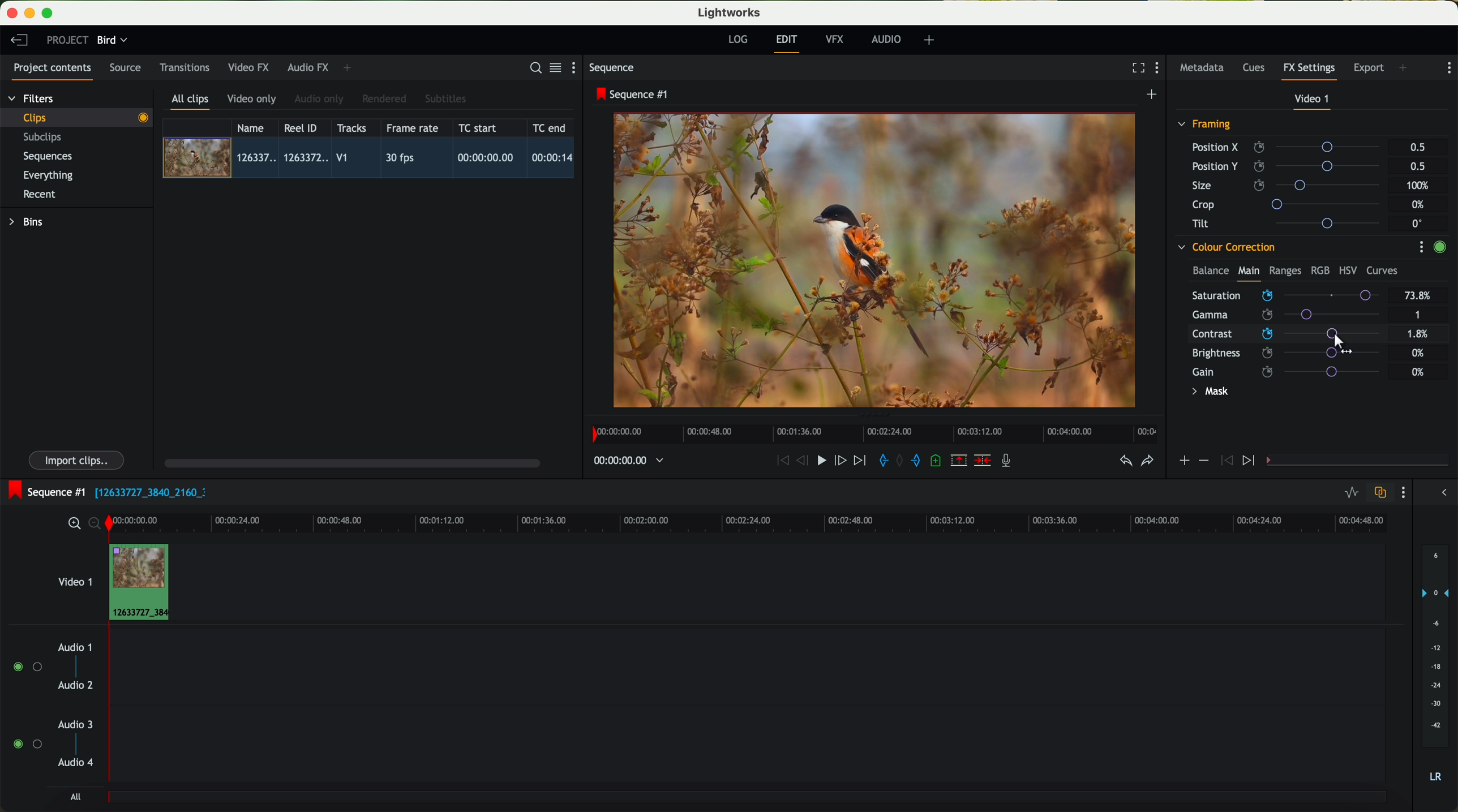 The height and width of the screenshot is (812, 1458). Describe the element at coordinates (125, 68) in the screenshot. I see `source` at that location.